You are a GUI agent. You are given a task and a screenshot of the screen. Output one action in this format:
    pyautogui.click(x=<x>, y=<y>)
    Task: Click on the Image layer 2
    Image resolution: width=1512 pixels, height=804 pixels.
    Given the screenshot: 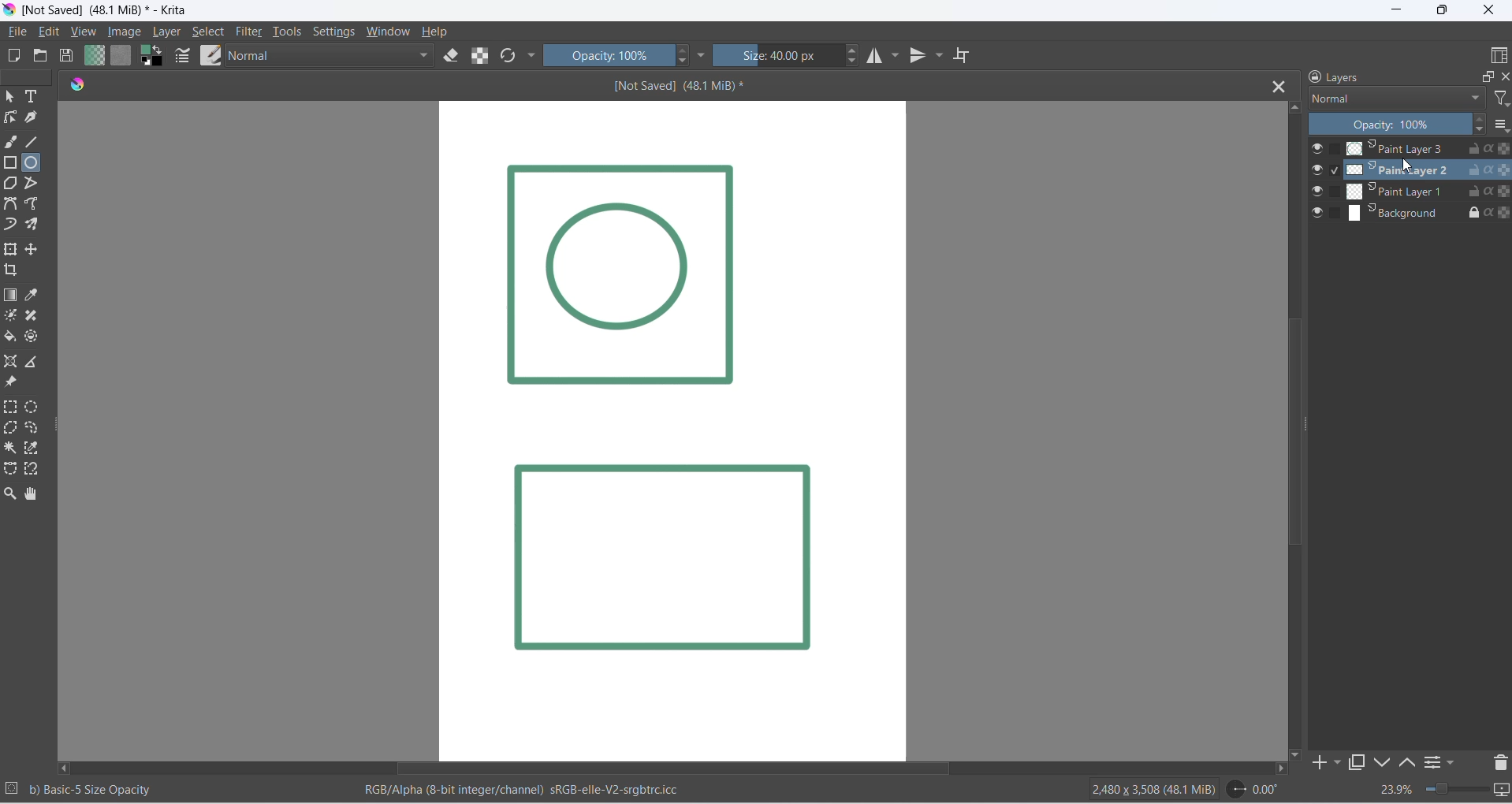 What is the action you would take?
    pyautogui.click(x=667, y=557)
    